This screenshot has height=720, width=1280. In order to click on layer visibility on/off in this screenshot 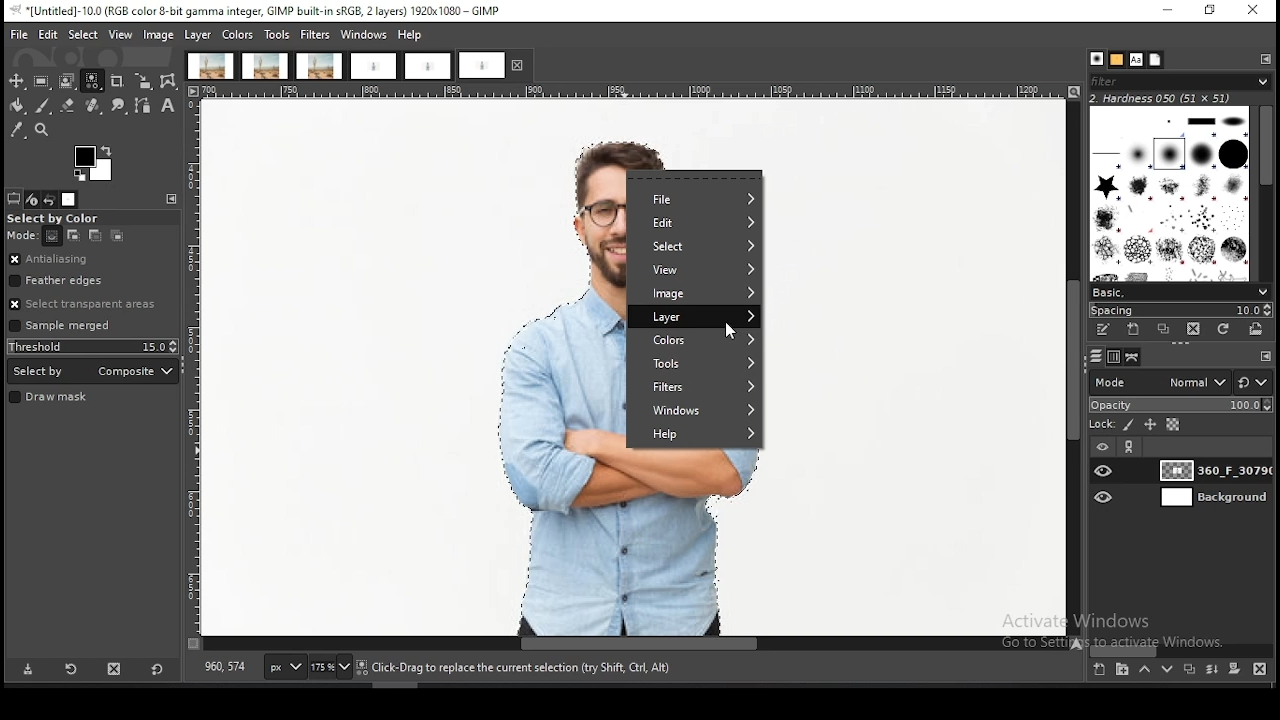, I will do `click(1103, 448)`.